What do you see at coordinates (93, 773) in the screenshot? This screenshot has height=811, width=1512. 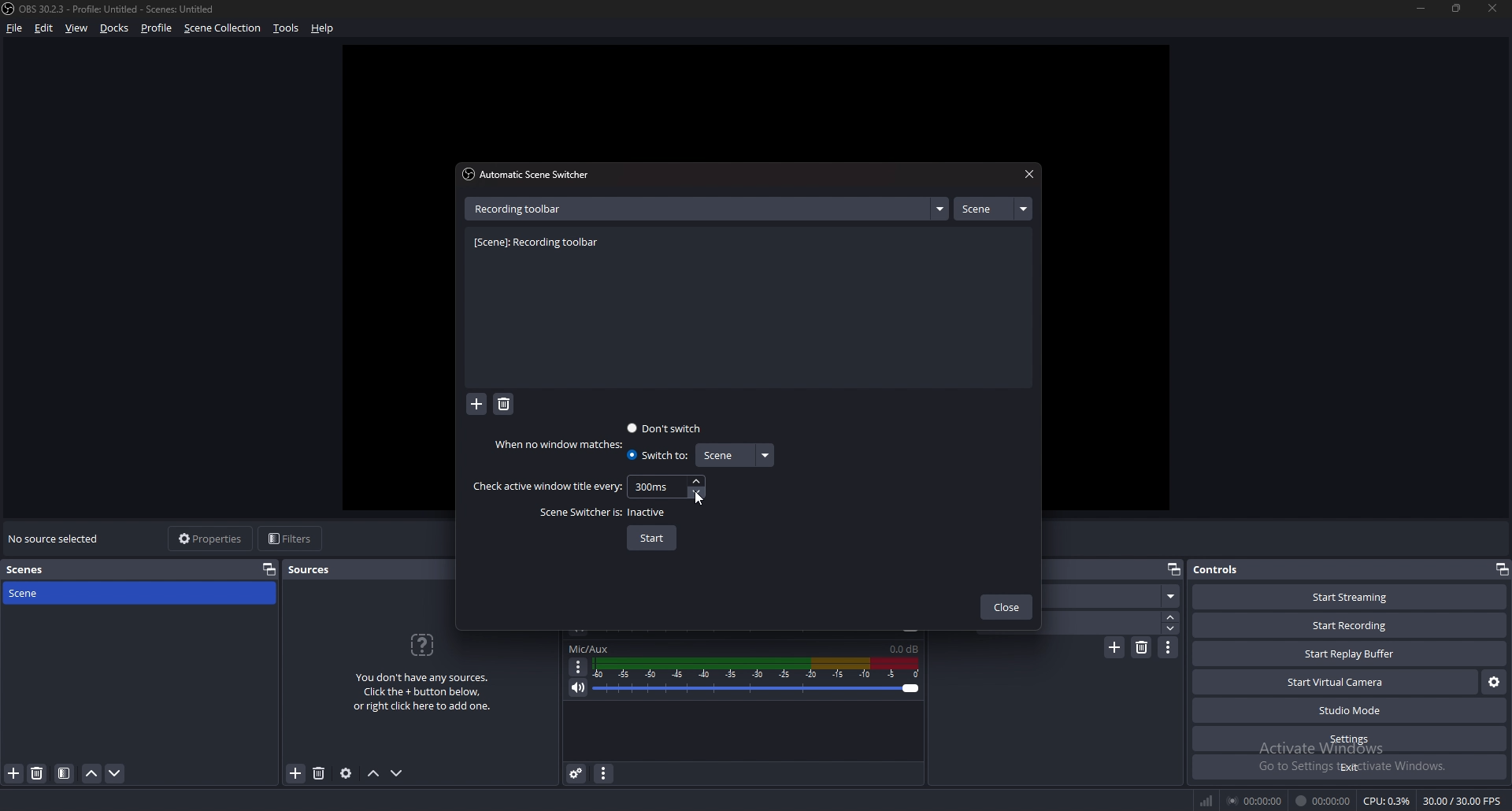 I see `move scene up` at bounding box center [93, 773].